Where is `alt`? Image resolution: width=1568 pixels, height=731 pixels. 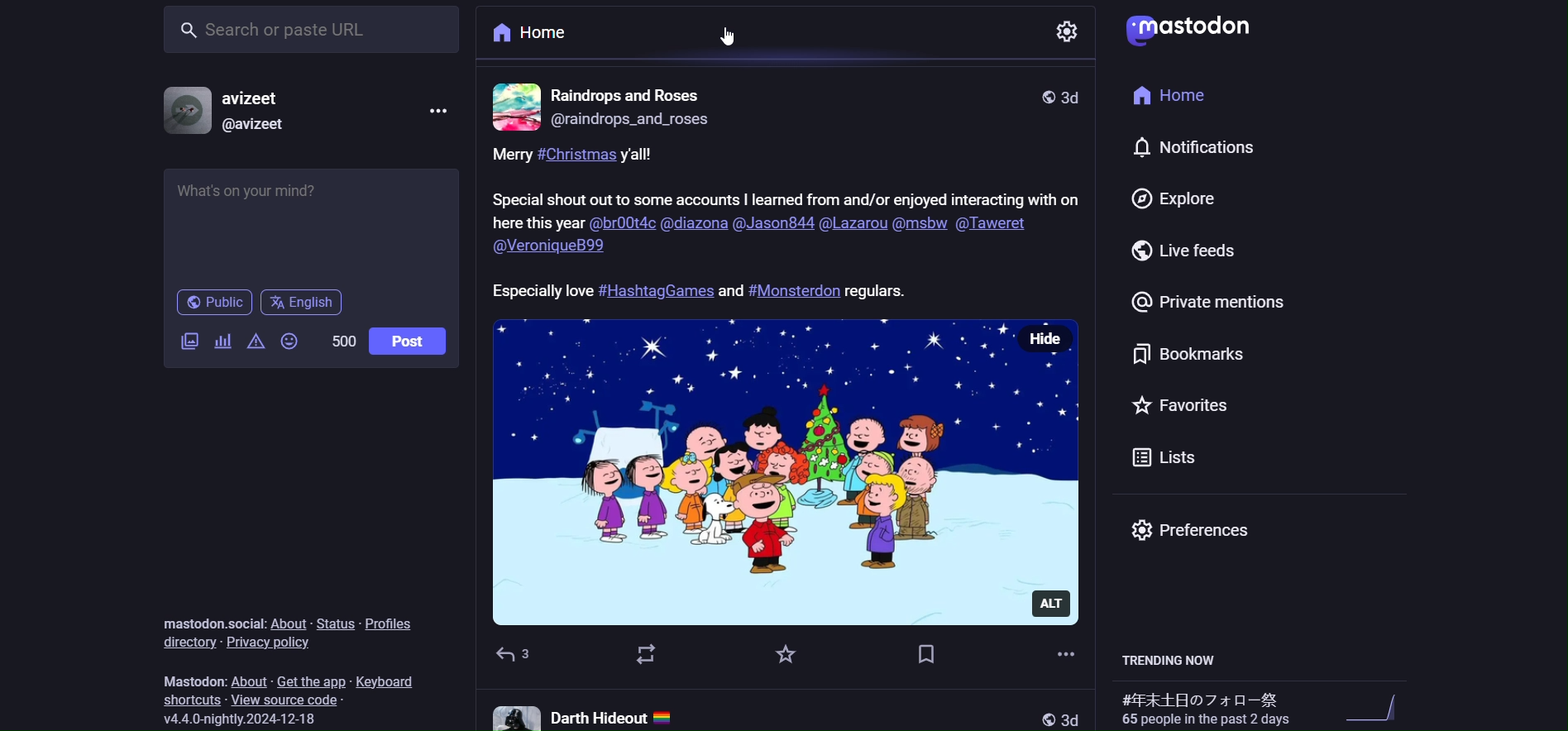 alt is located at coordinates (1050, 603).